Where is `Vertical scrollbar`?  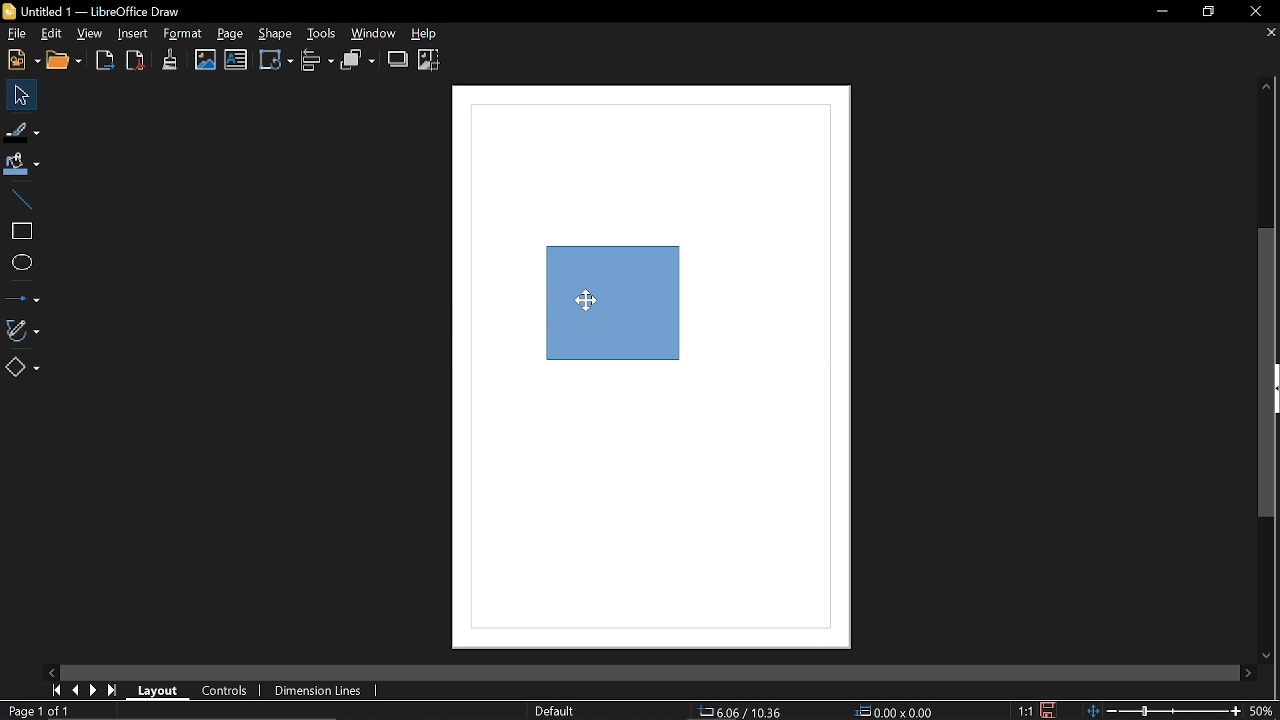 Vertical scrollbar is located at coordinates (1266, 377).